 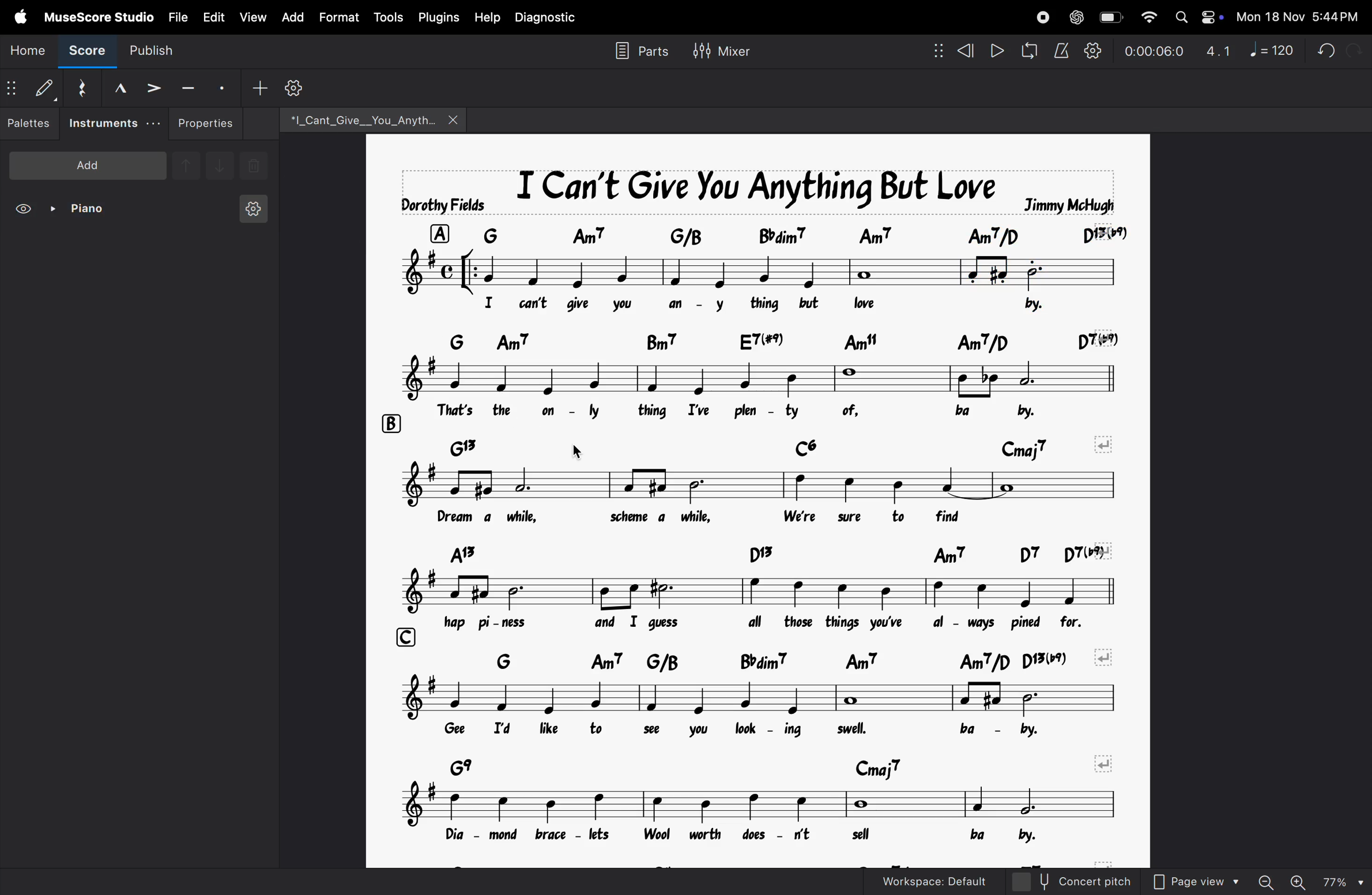 What do you see at coordinates (763, 484) in the screenshot?
I see `notes` at bounding box center [763, 484].